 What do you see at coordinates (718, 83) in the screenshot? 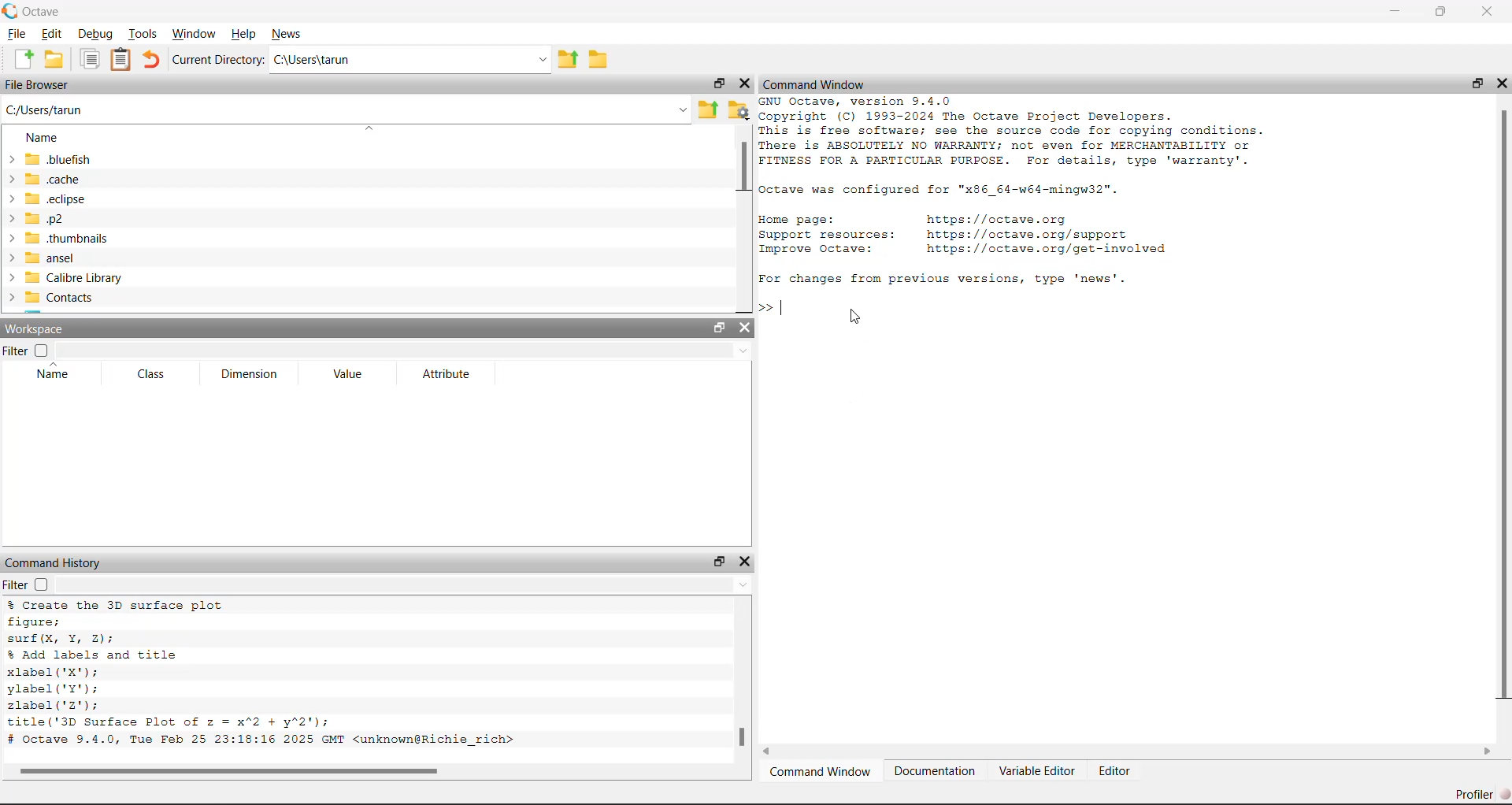
I see `Restore Down` at bounding box center [718, 83].